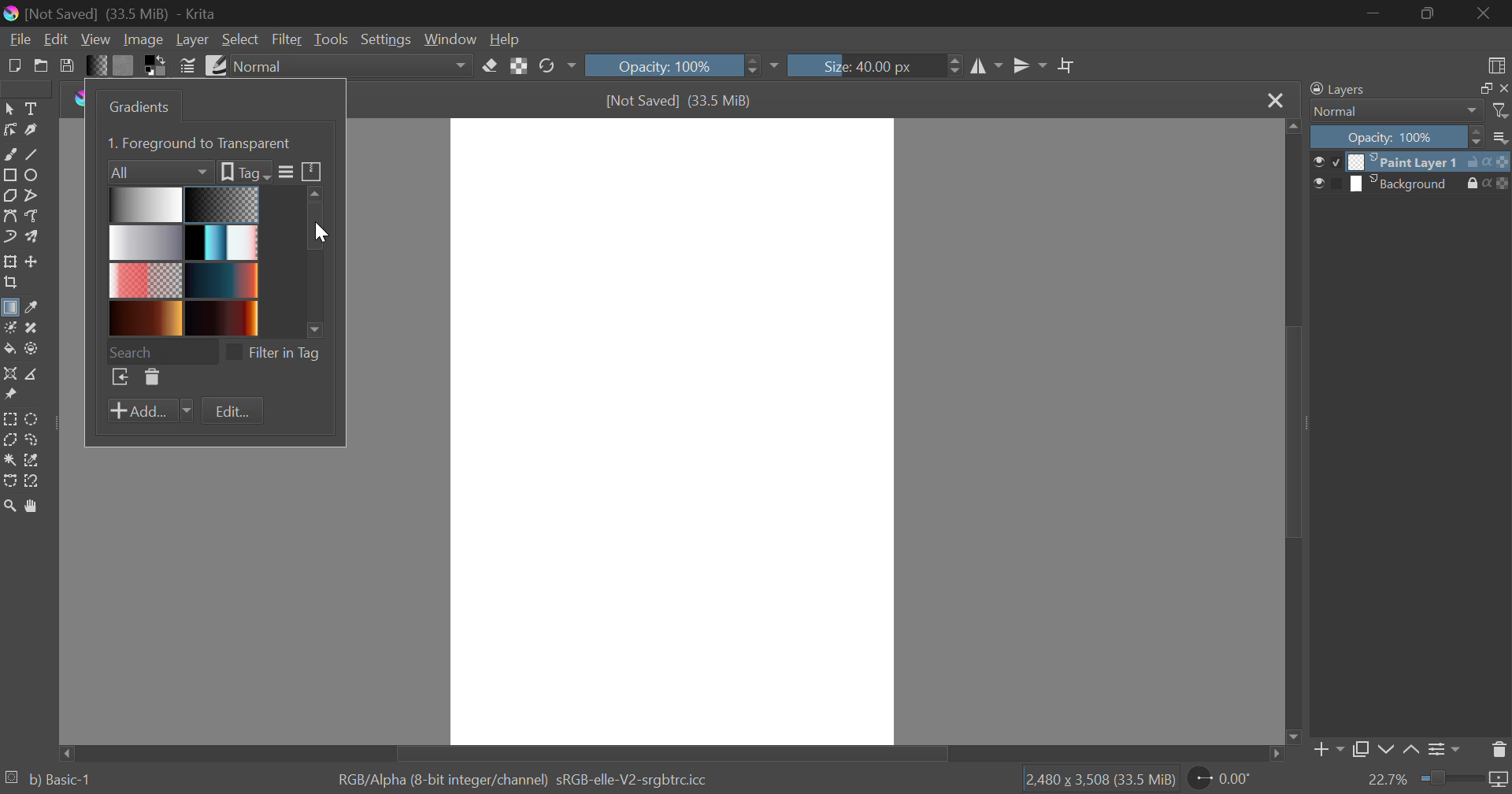  I want to click on Fill, so click(9, 349).